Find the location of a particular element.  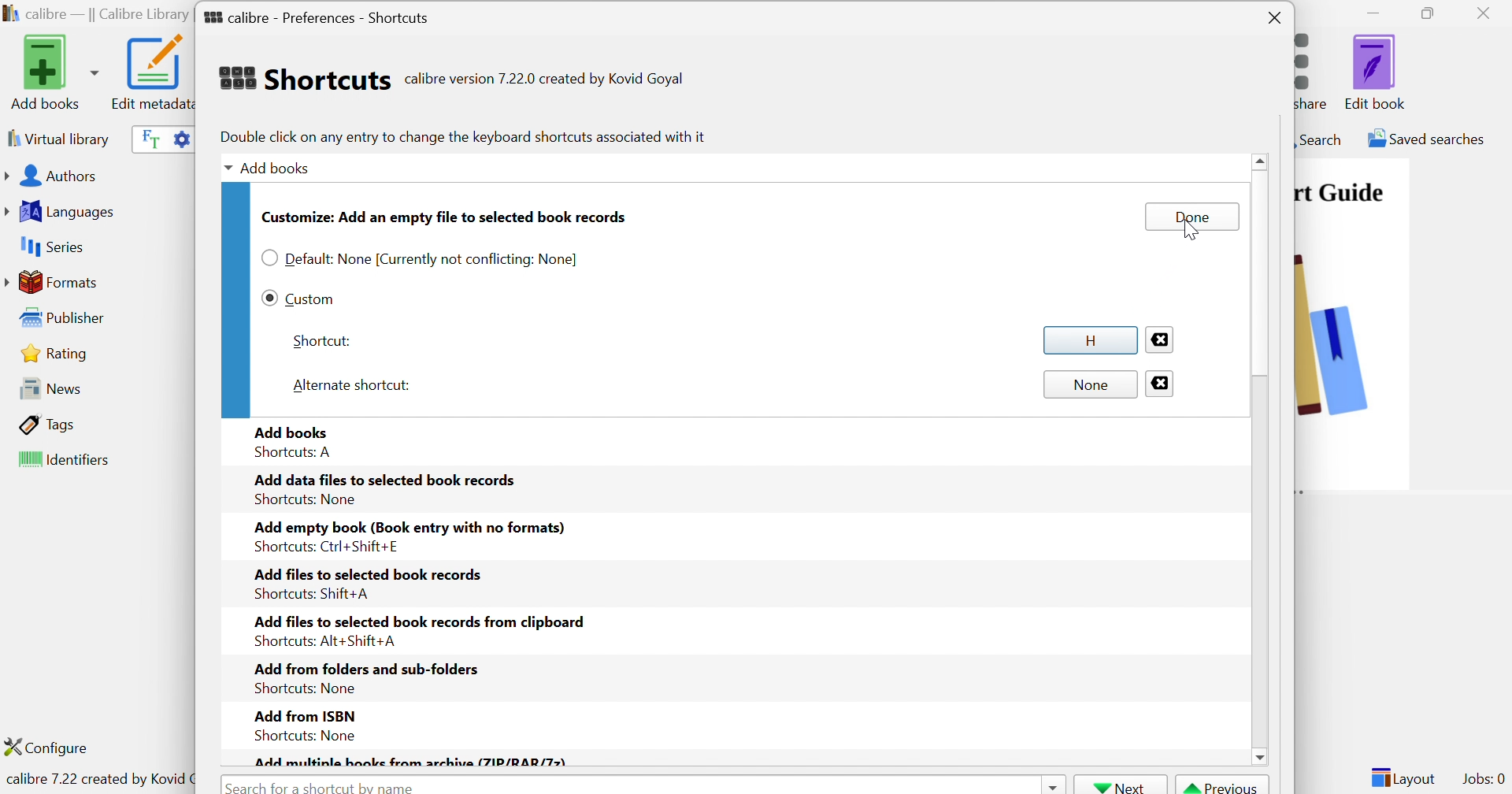

Previous is located at coordinates (1223, 785).